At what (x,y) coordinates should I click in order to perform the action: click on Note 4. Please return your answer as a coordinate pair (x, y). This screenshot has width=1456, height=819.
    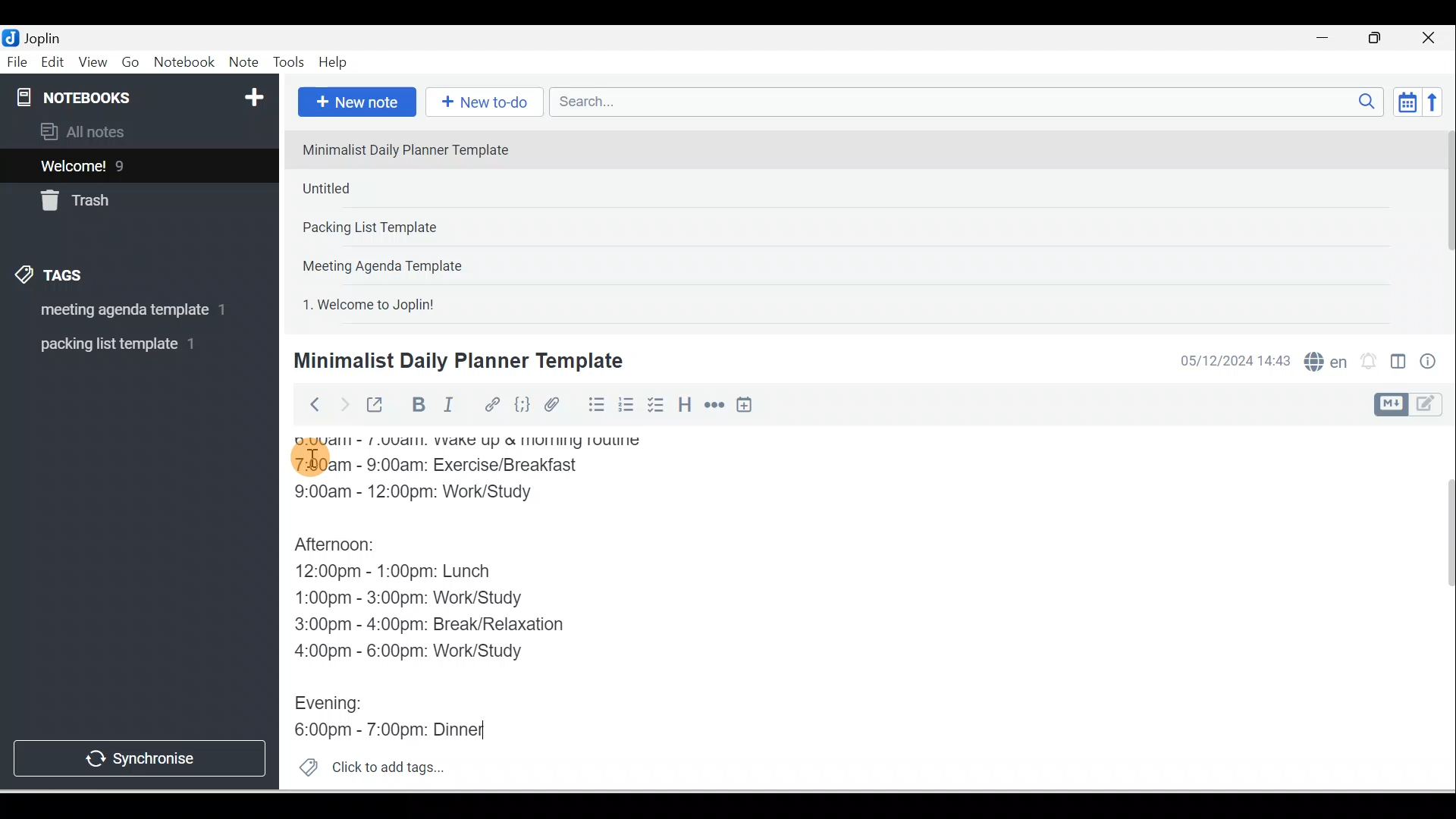
    Looking at the image, I should click on (403, 262).